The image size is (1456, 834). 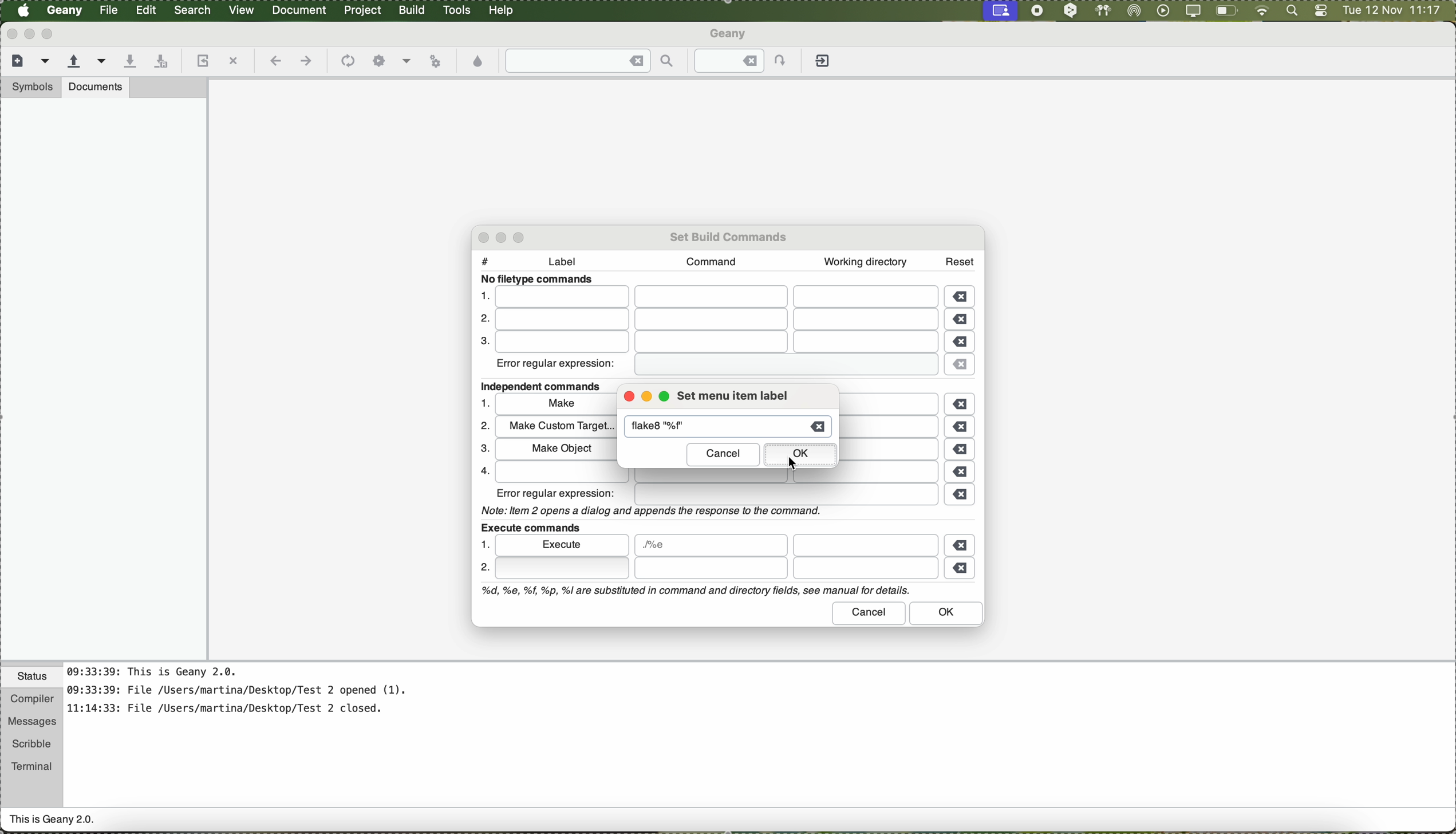 What do you see at coordinates (485, 258) in the screenshot?
I see `#` at bounding box center [485, 258].